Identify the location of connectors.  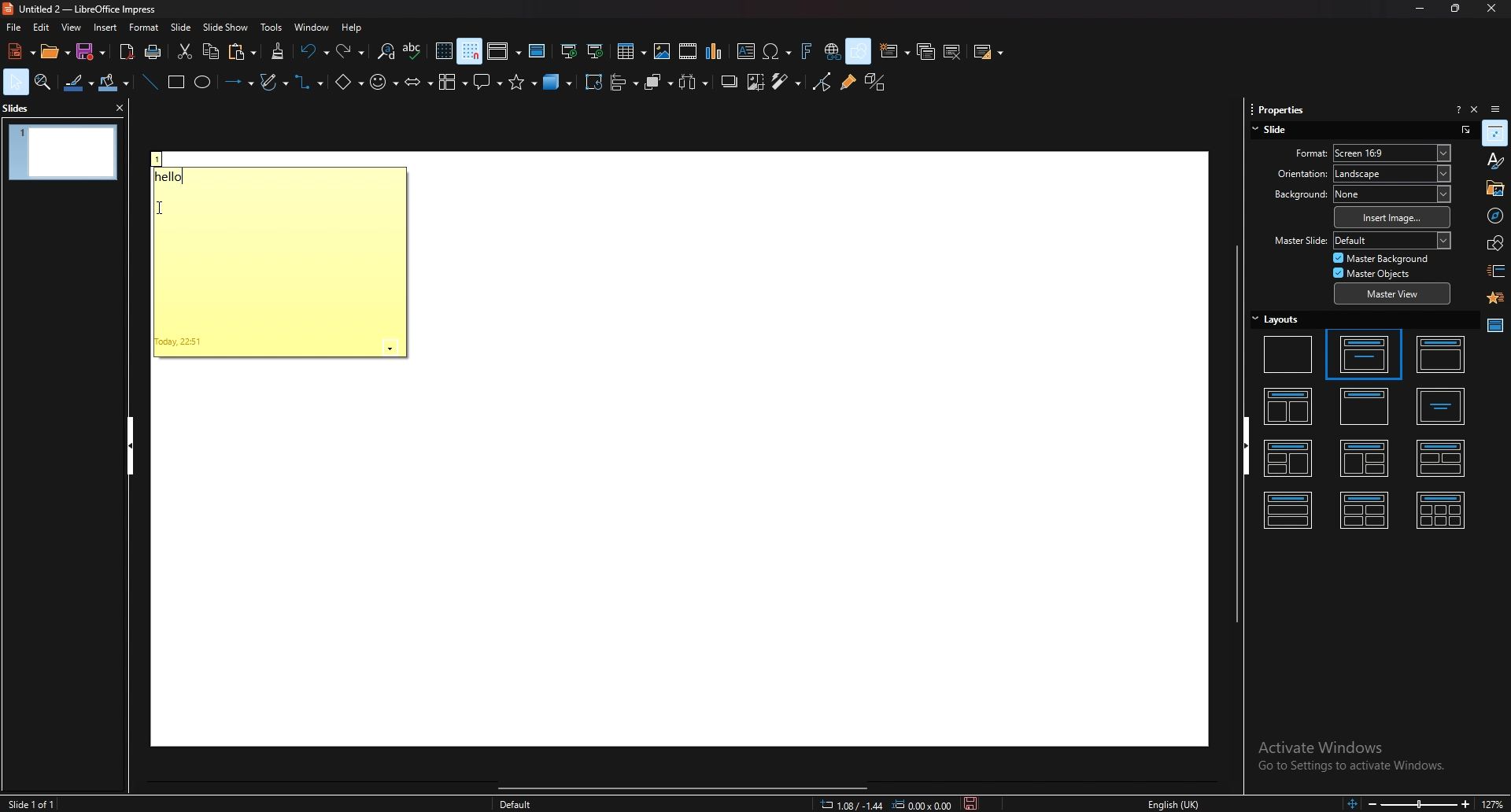
(311, 83).